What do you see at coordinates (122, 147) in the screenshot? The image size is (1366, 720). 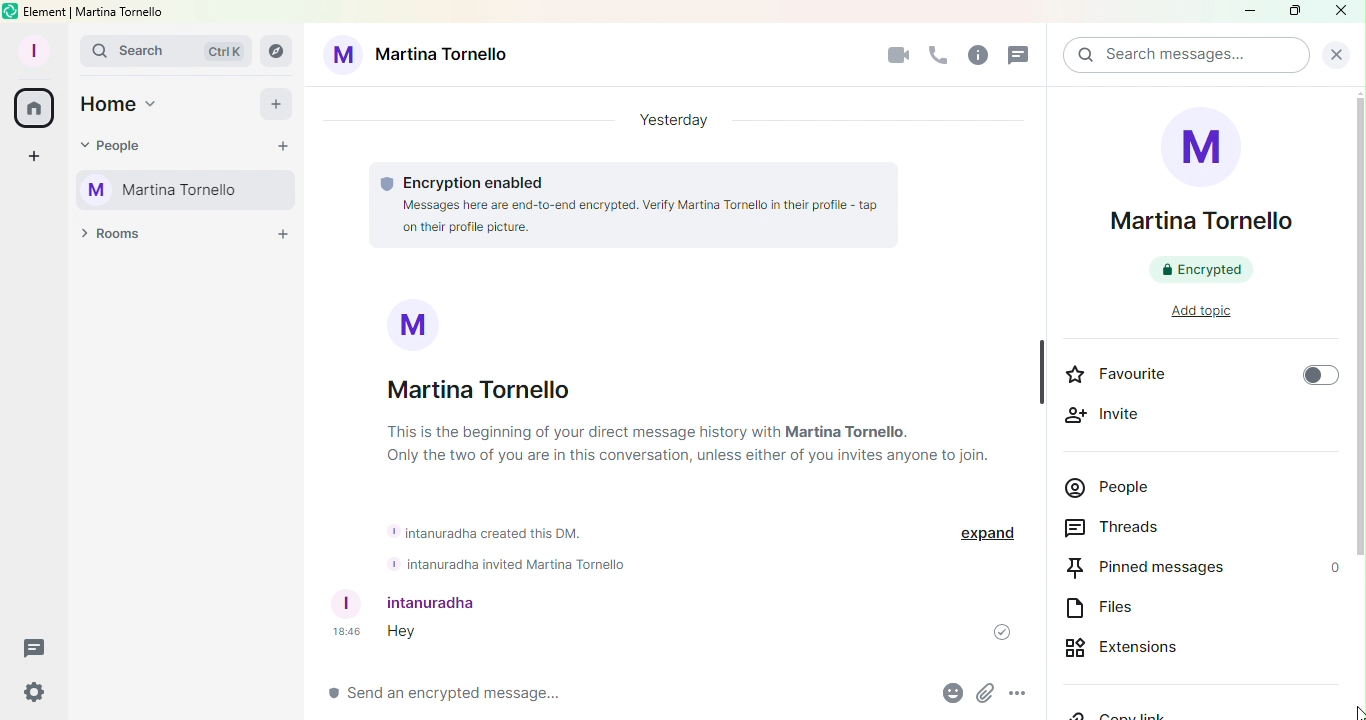 I see `People` at bounding box center [122, 147].